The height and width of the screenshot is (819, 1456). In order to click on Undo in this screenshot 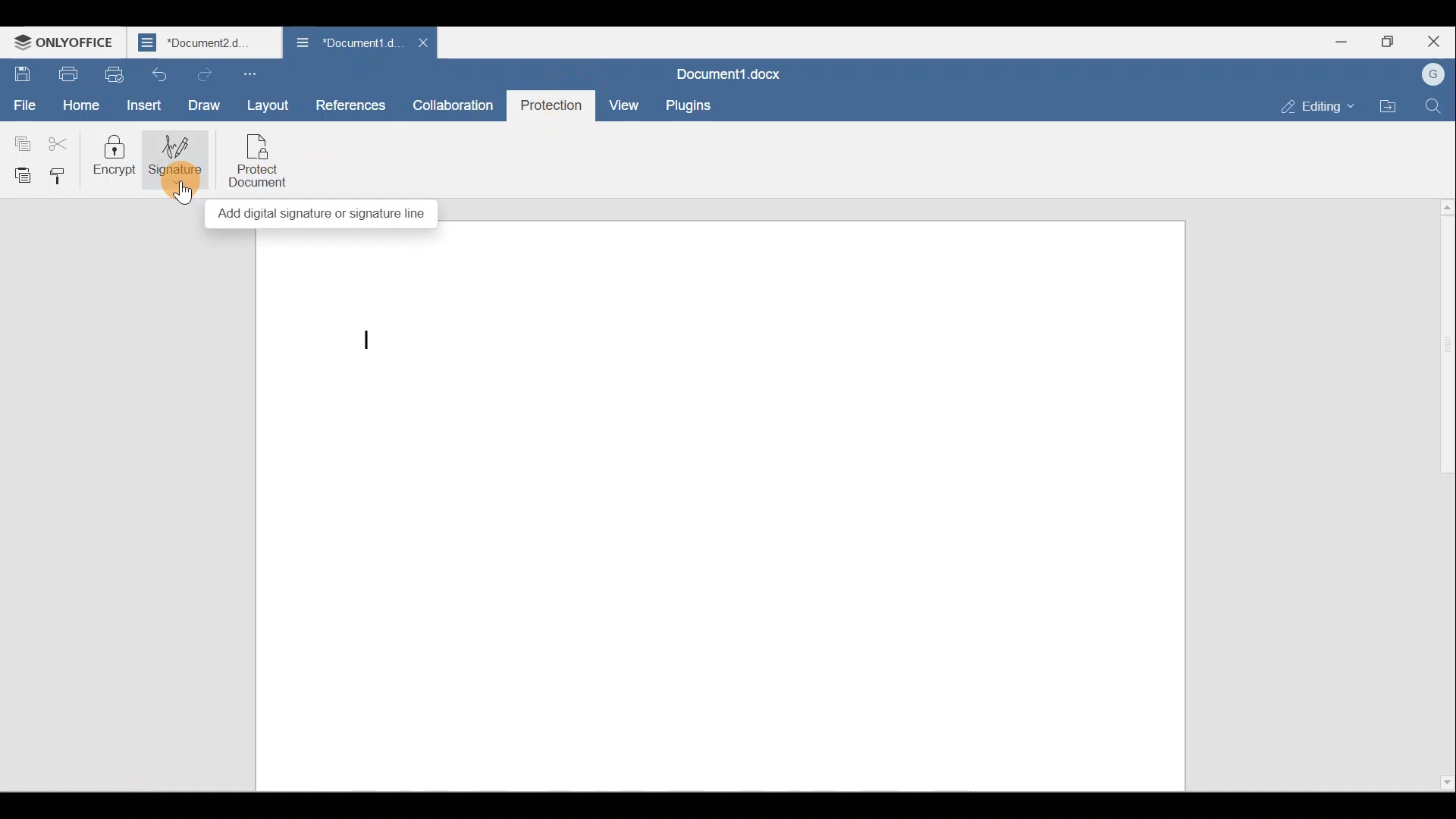, I will do `click(158, 74)`.